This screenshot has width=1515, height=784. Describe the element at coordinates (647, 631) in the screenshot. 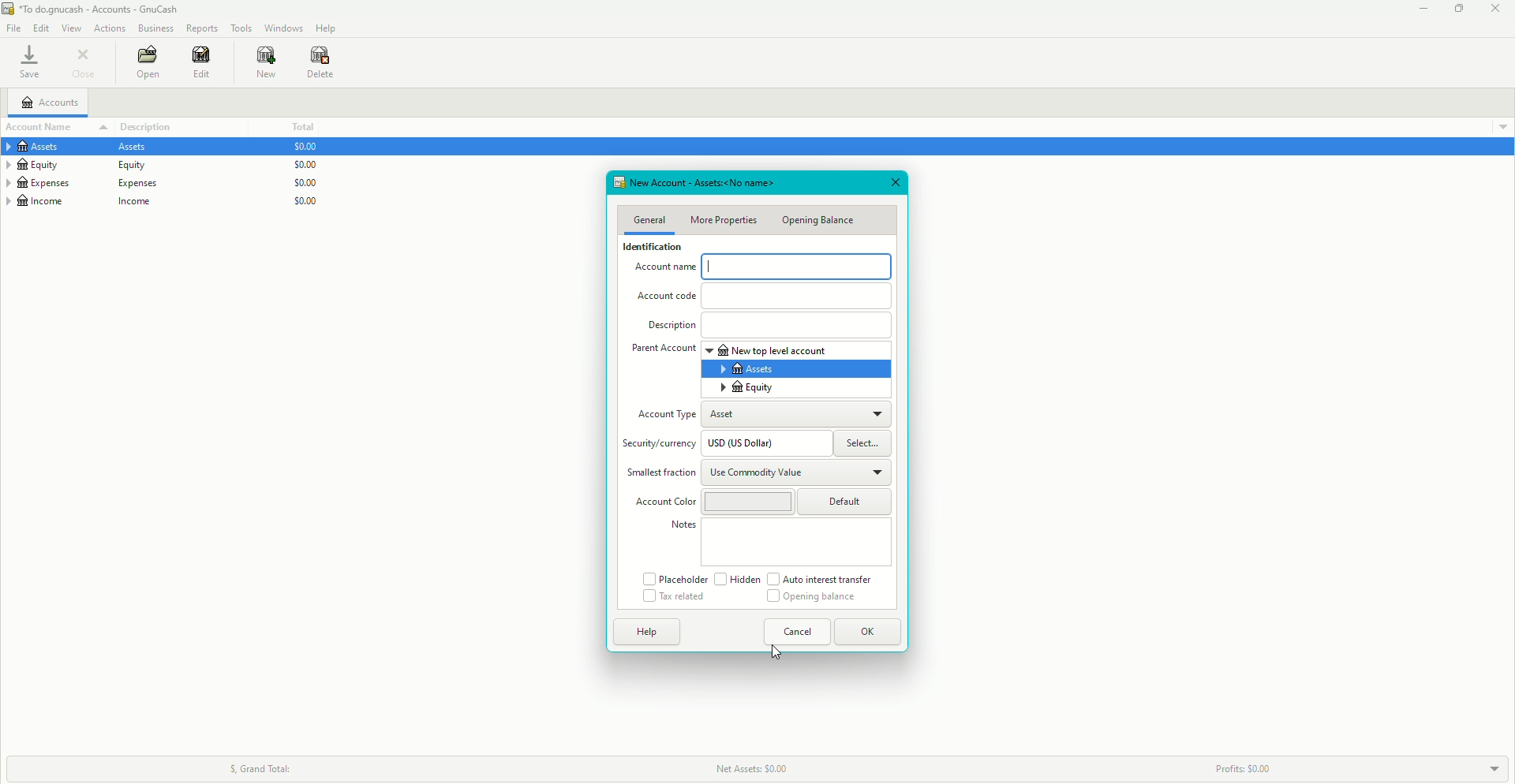

I see `Help` at that location.